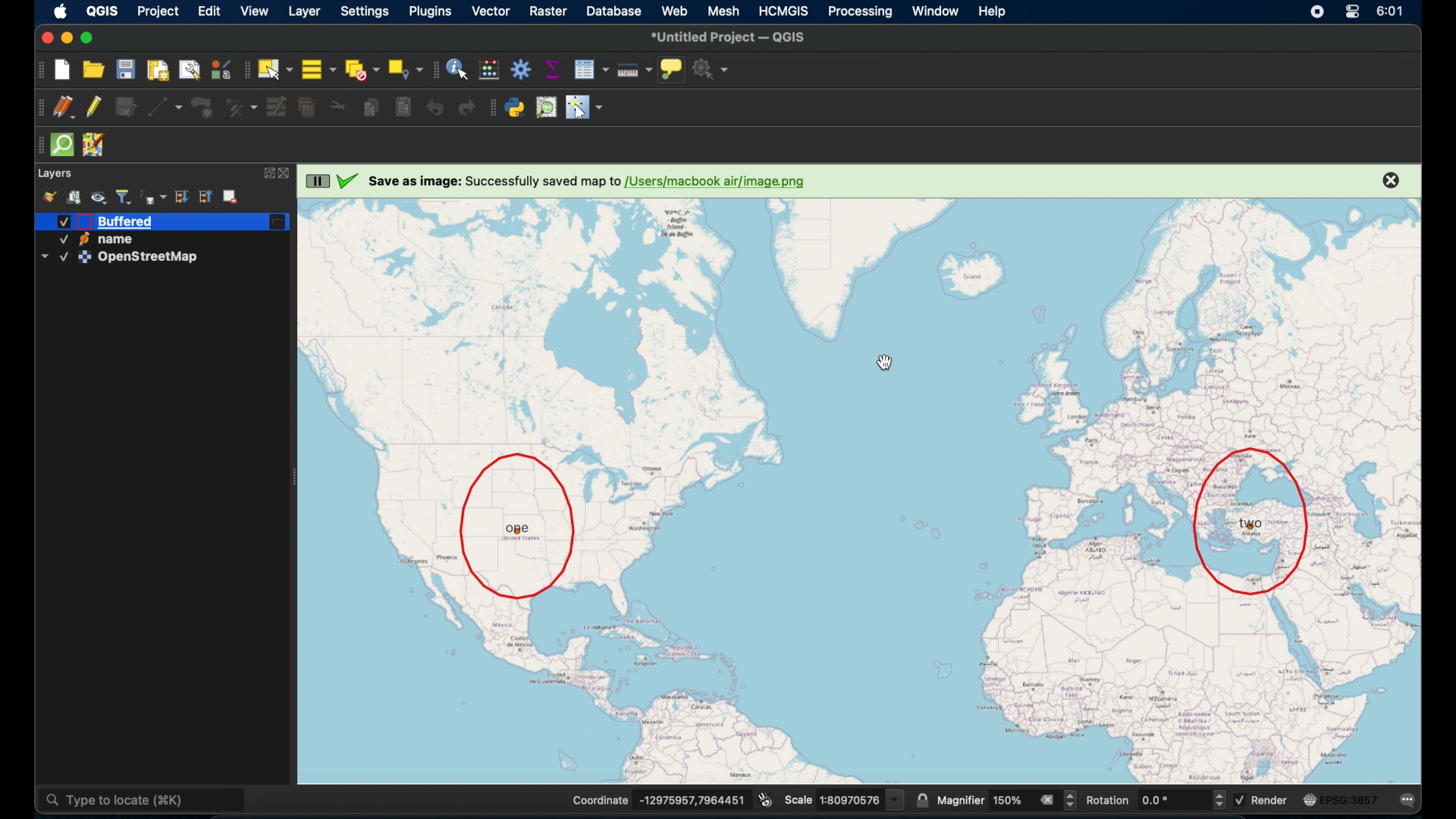 The width and height of the screenshot is (1456, 819). What do you see at coordinates (1408, 801) in the screenshot?
I see `messages` at bounding box center [1408, 801].